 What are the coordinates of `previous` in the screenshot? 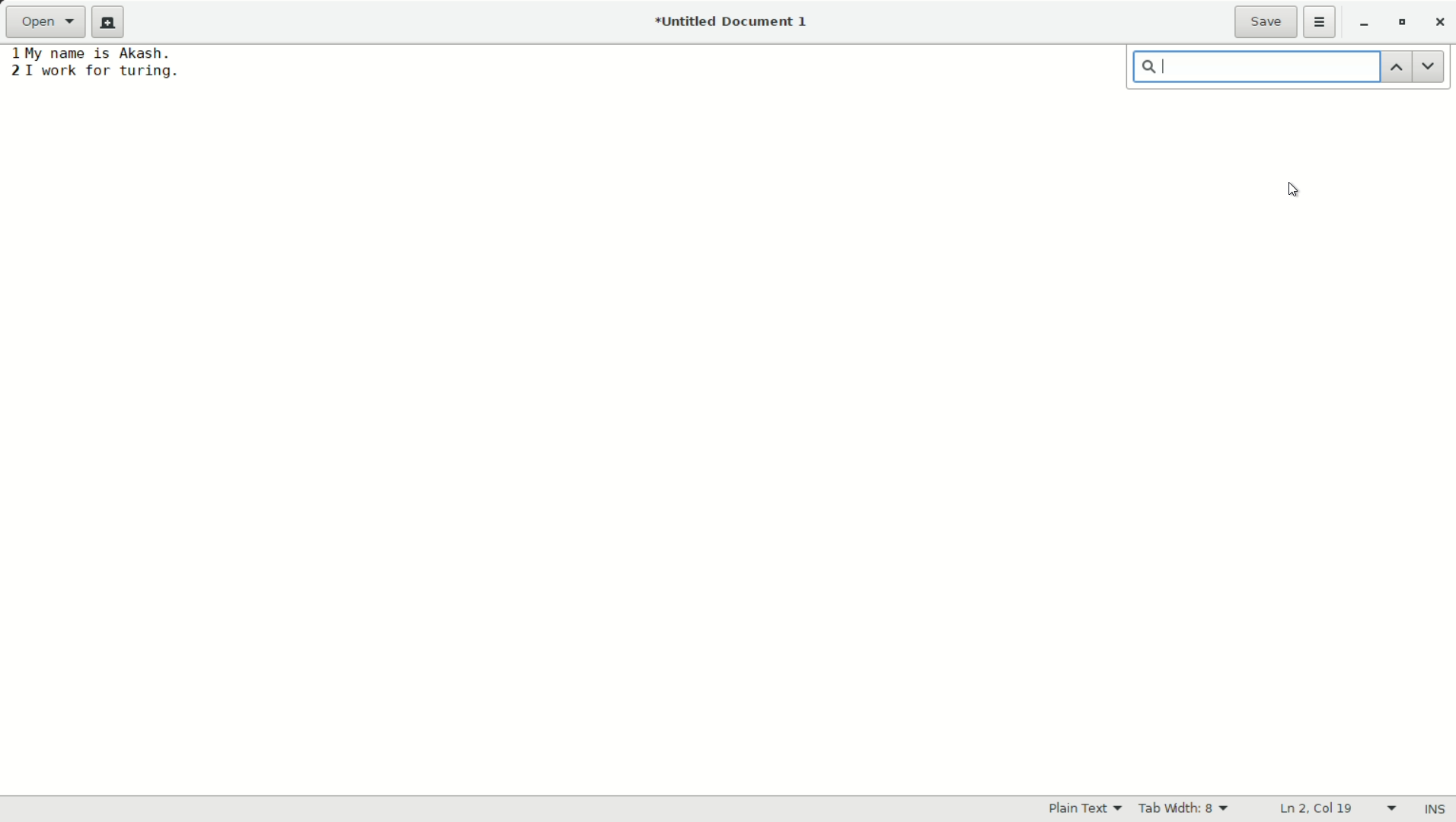 It's located at (1397, 66).